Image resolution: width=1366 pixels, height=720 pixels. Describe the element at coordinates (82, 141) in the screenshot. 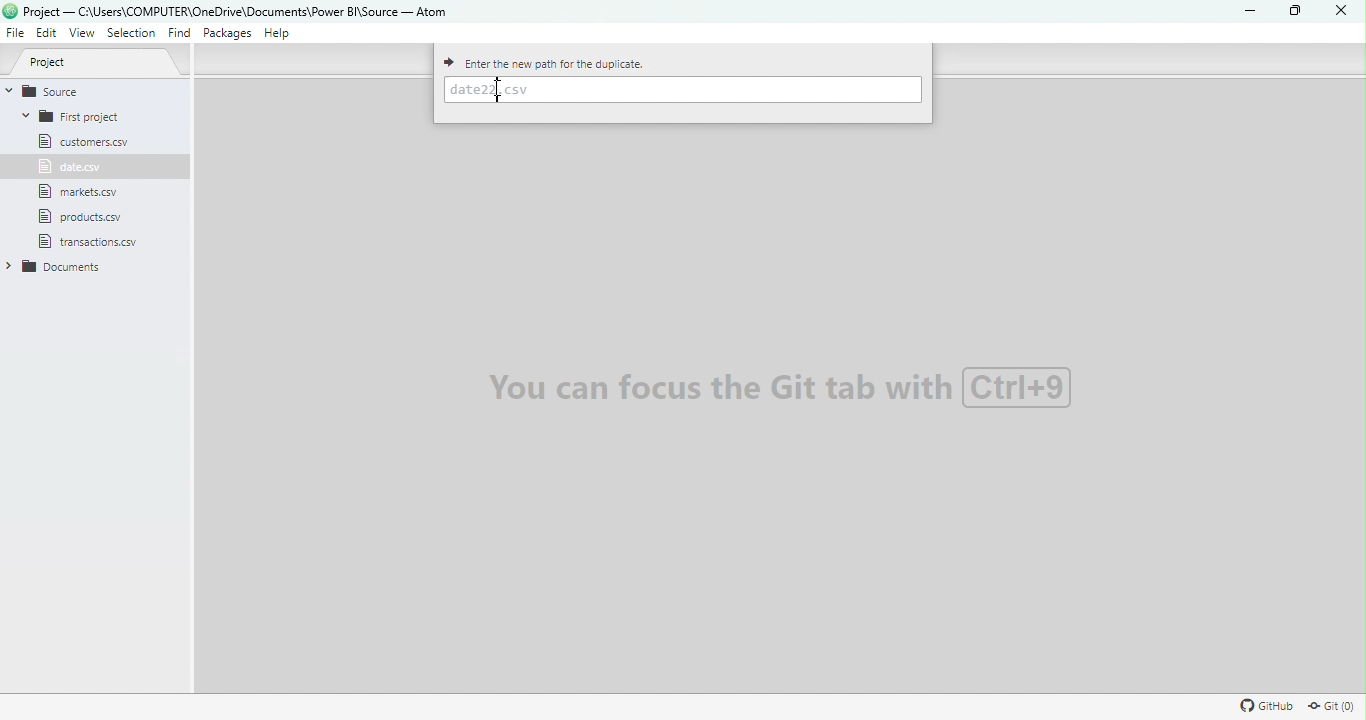

I see `File` at that location.